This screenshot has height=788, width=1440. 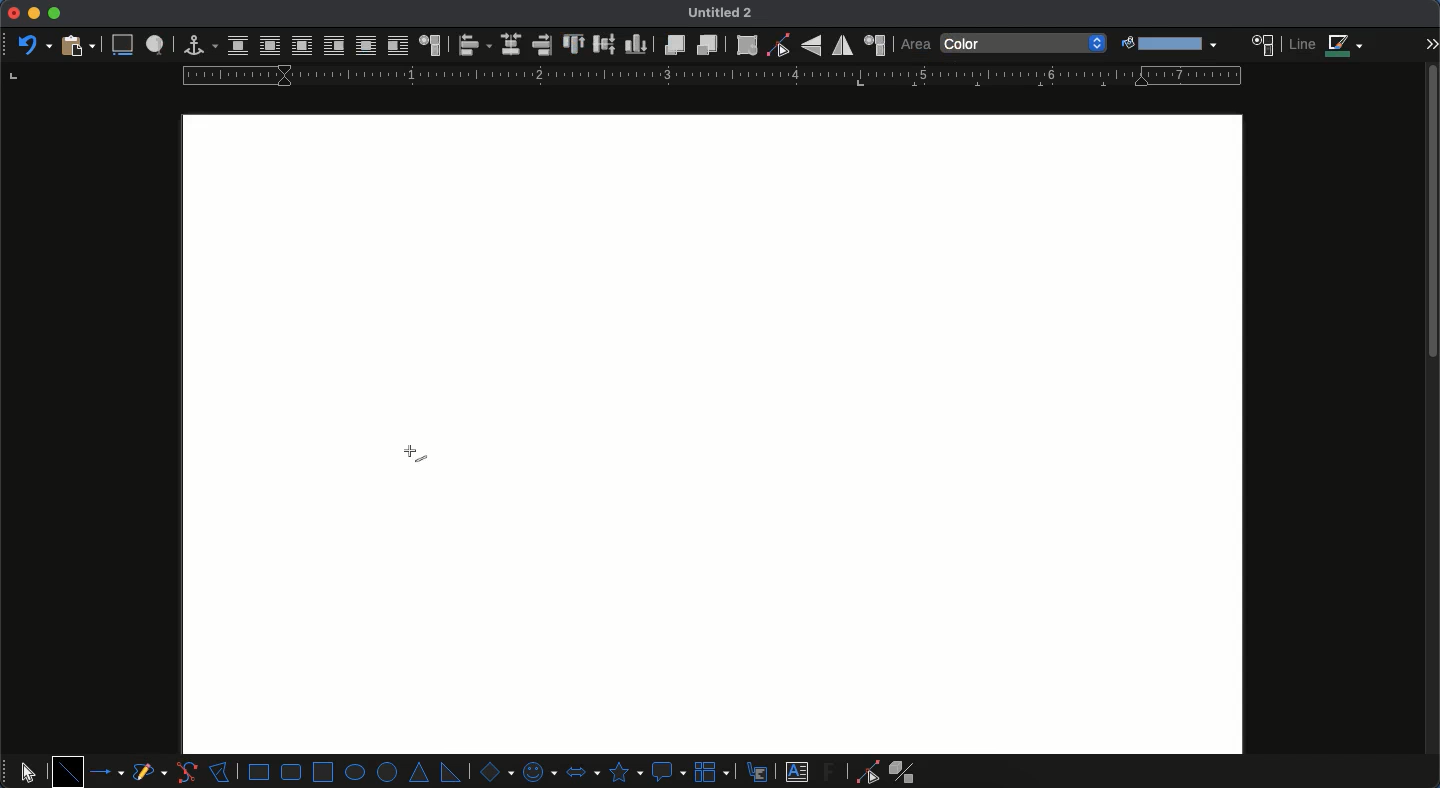 I want to click on lines and arrows, so click(x=109, y=772).